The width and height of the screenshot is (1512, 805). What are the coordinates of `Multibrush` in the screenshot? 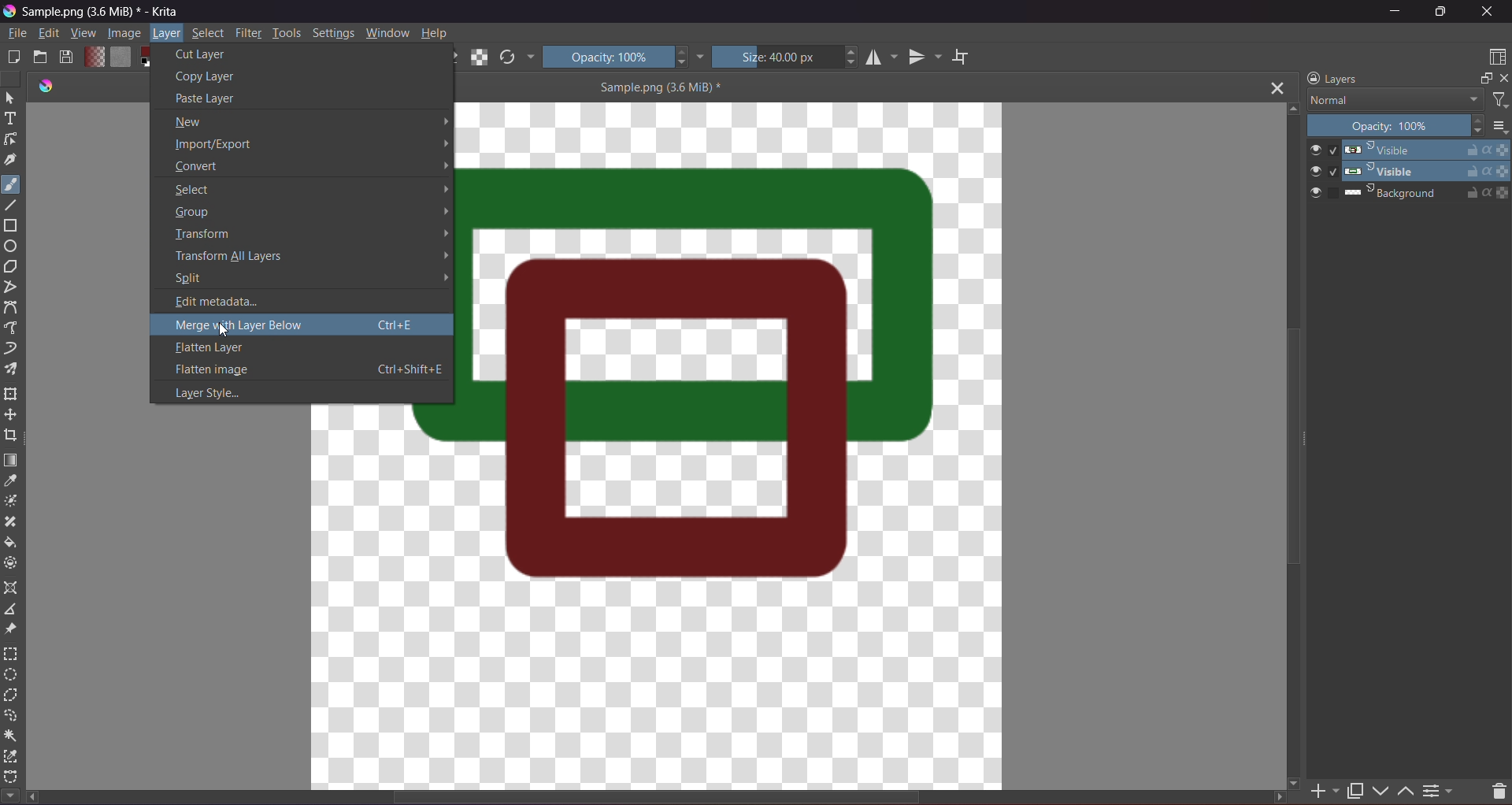 It's located at (13, 369).